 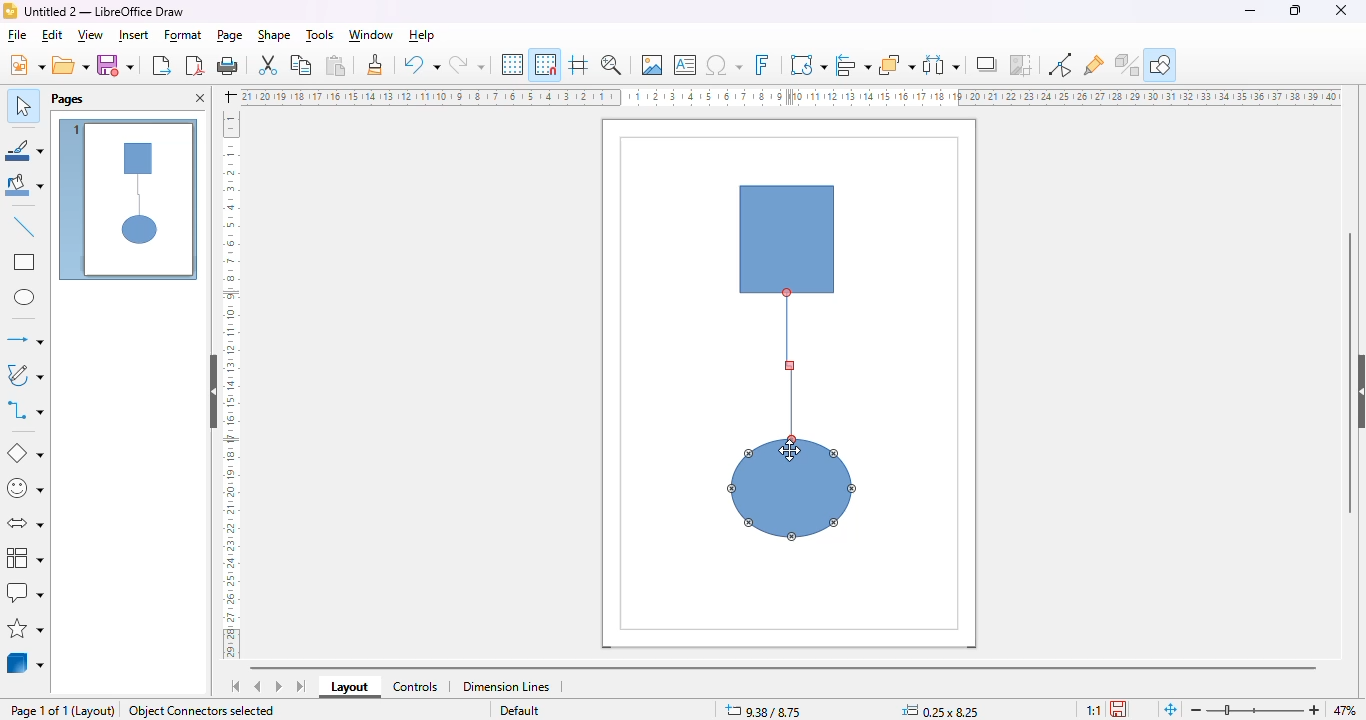 What do you see at coordinates (762, 64) in the screenshot?
I see `insert fontwork text` at bounding box center [762, 64].